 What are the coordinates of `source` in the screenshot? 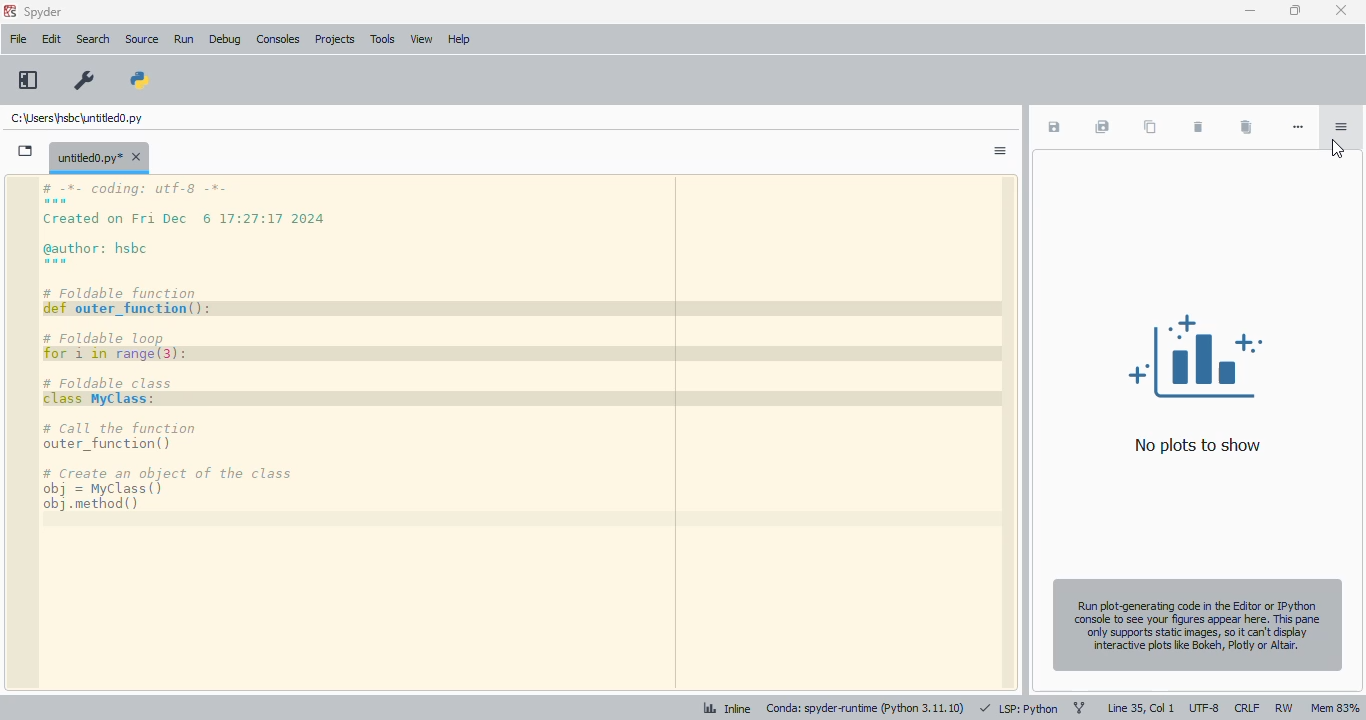 It's located at (142, 40).